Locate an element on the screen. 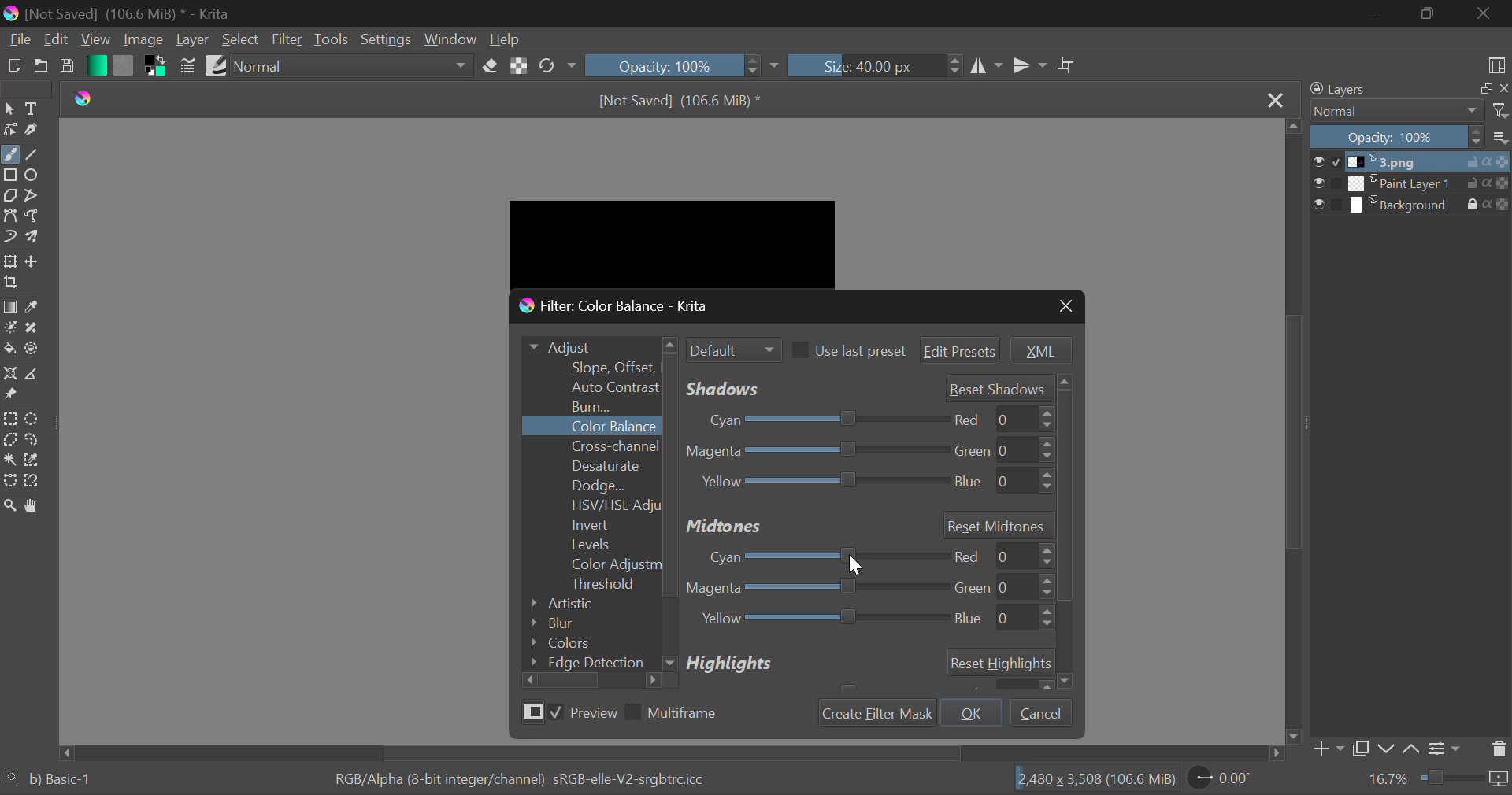 The image size is (1512, 795). Freehand Selection is located at coordinates (32, 439).